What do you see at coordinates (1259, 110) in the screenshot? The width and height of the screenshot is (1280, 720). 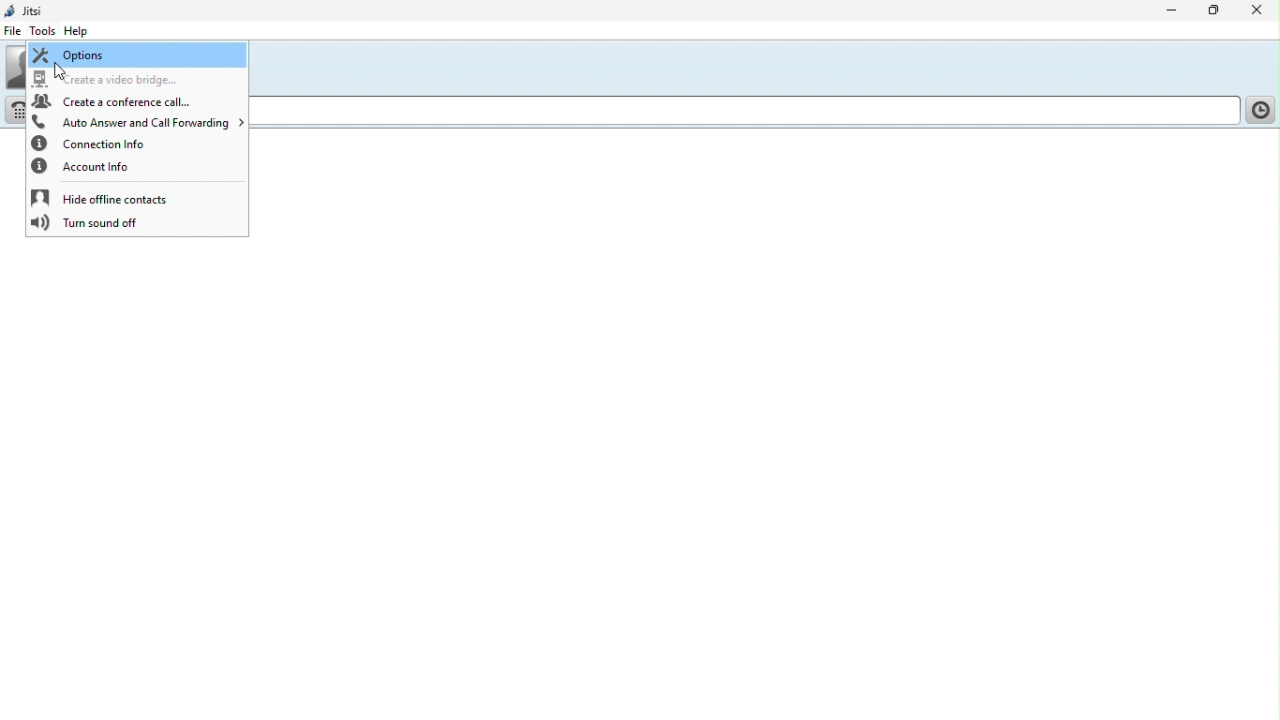 I see `History` at bounding box center [1259, 110].